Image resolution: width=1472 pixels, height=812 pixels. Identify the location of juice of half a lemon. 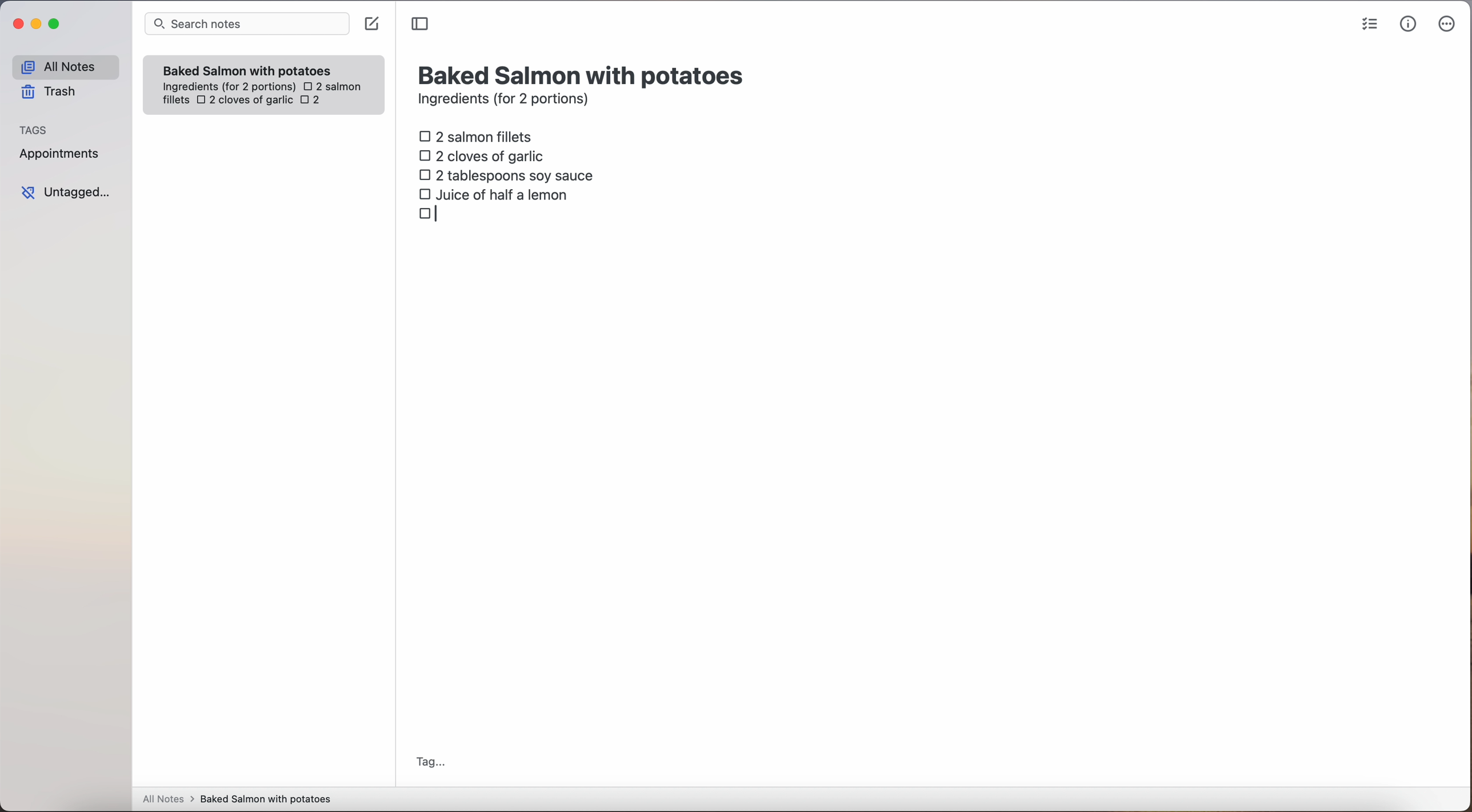
(495, 194).